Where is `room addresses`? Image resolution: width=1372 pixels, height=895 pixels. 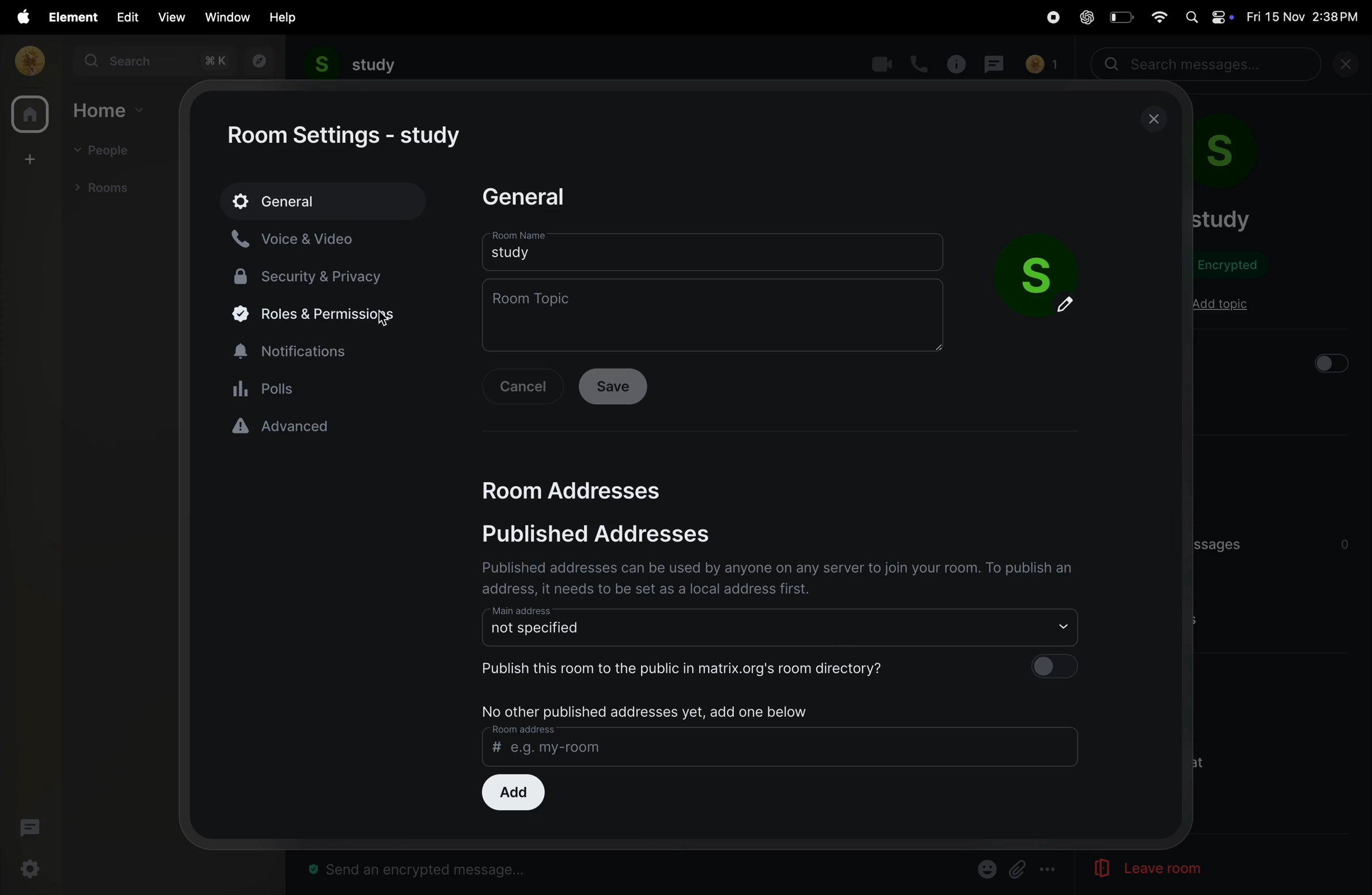
room addresses is located at coordinates (583, 487).